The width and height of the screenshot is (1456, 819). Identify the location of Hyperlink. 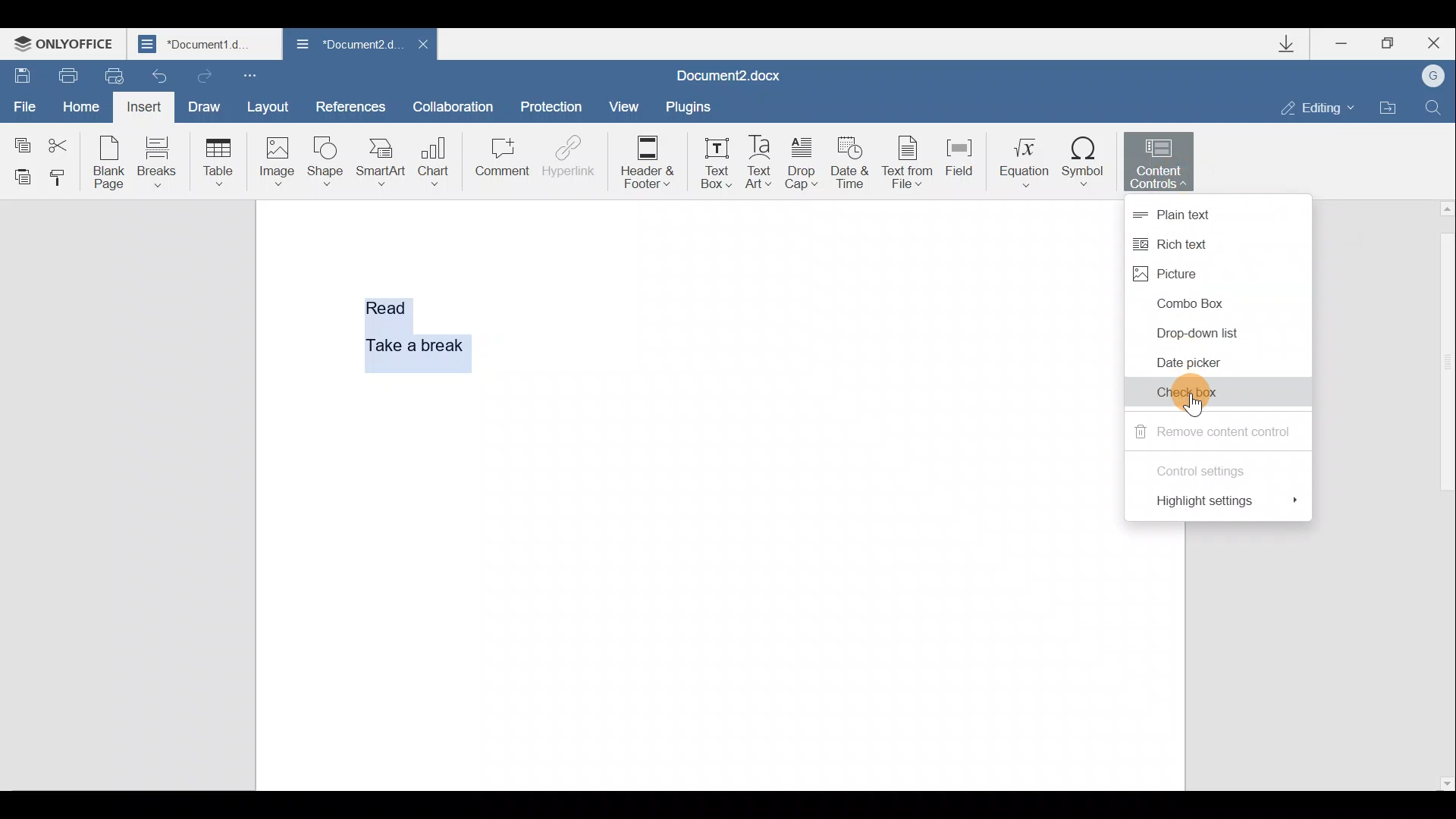
(569, 155).